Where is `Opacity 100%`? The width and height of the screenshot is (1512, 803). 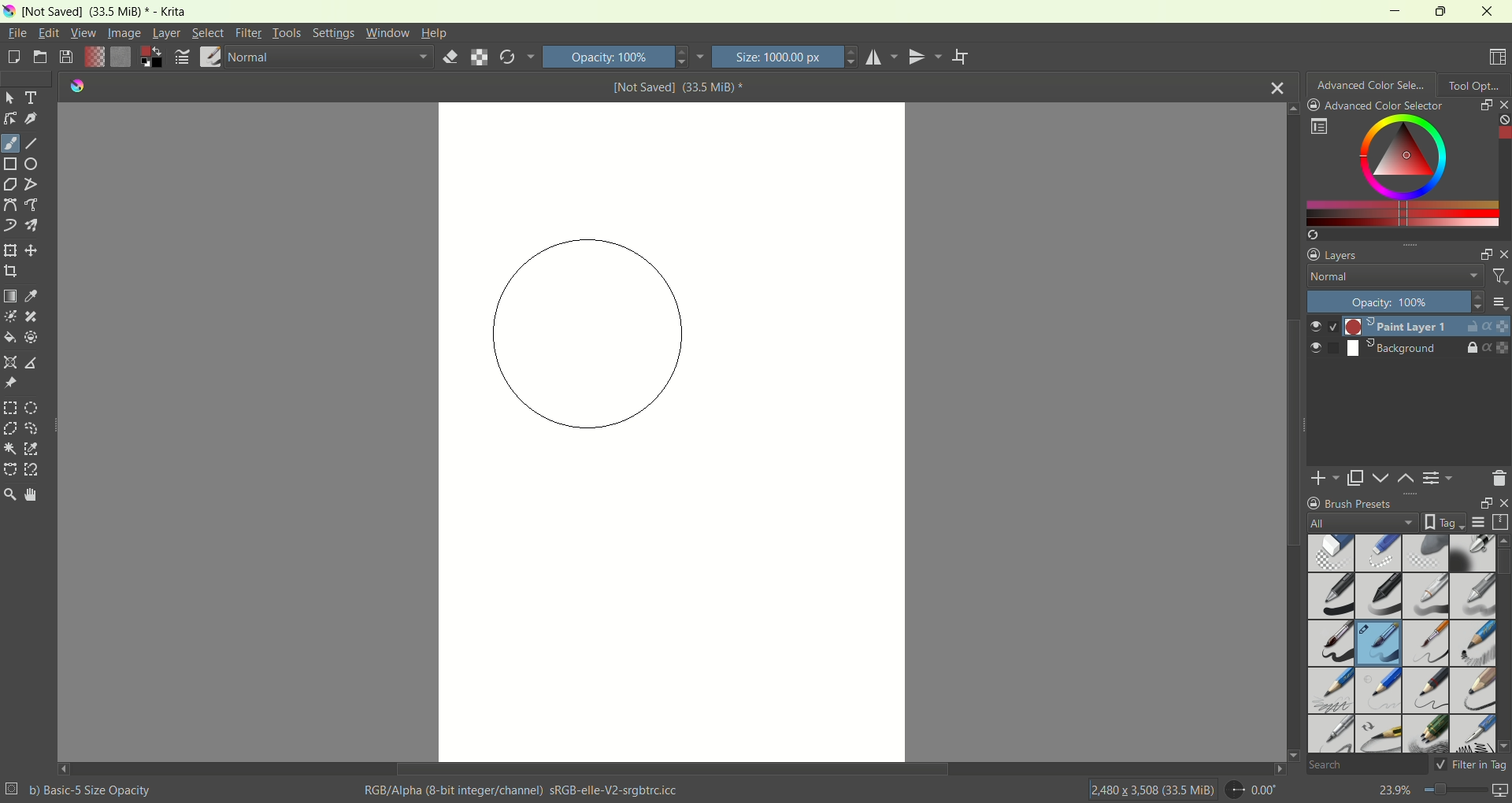
Opacity 100% is located at coordinates (622, 57).